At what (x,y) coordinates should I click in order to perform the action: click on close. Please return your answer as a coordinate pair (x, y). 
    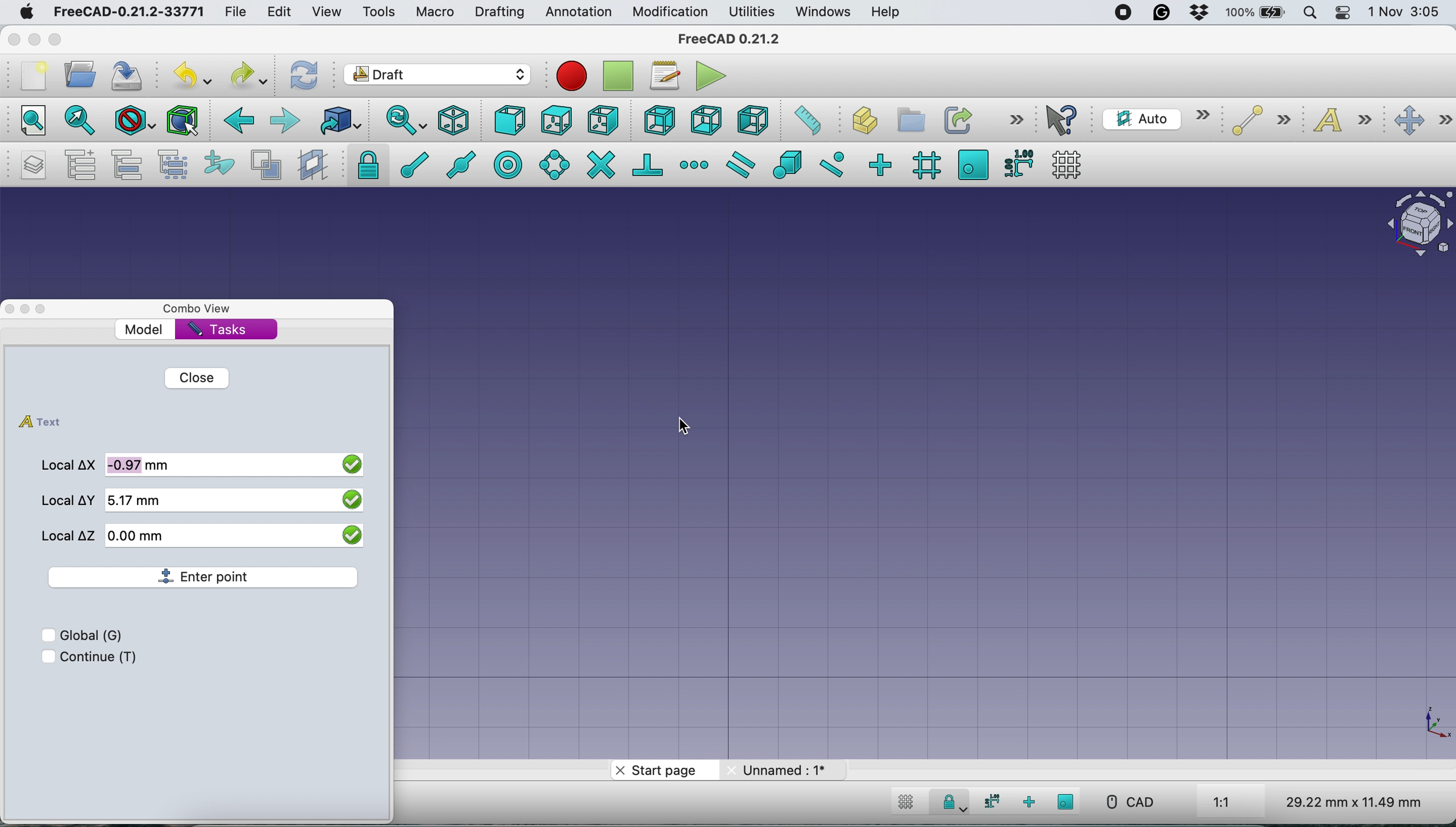
    Looking at the image, I should click on (12, 39).